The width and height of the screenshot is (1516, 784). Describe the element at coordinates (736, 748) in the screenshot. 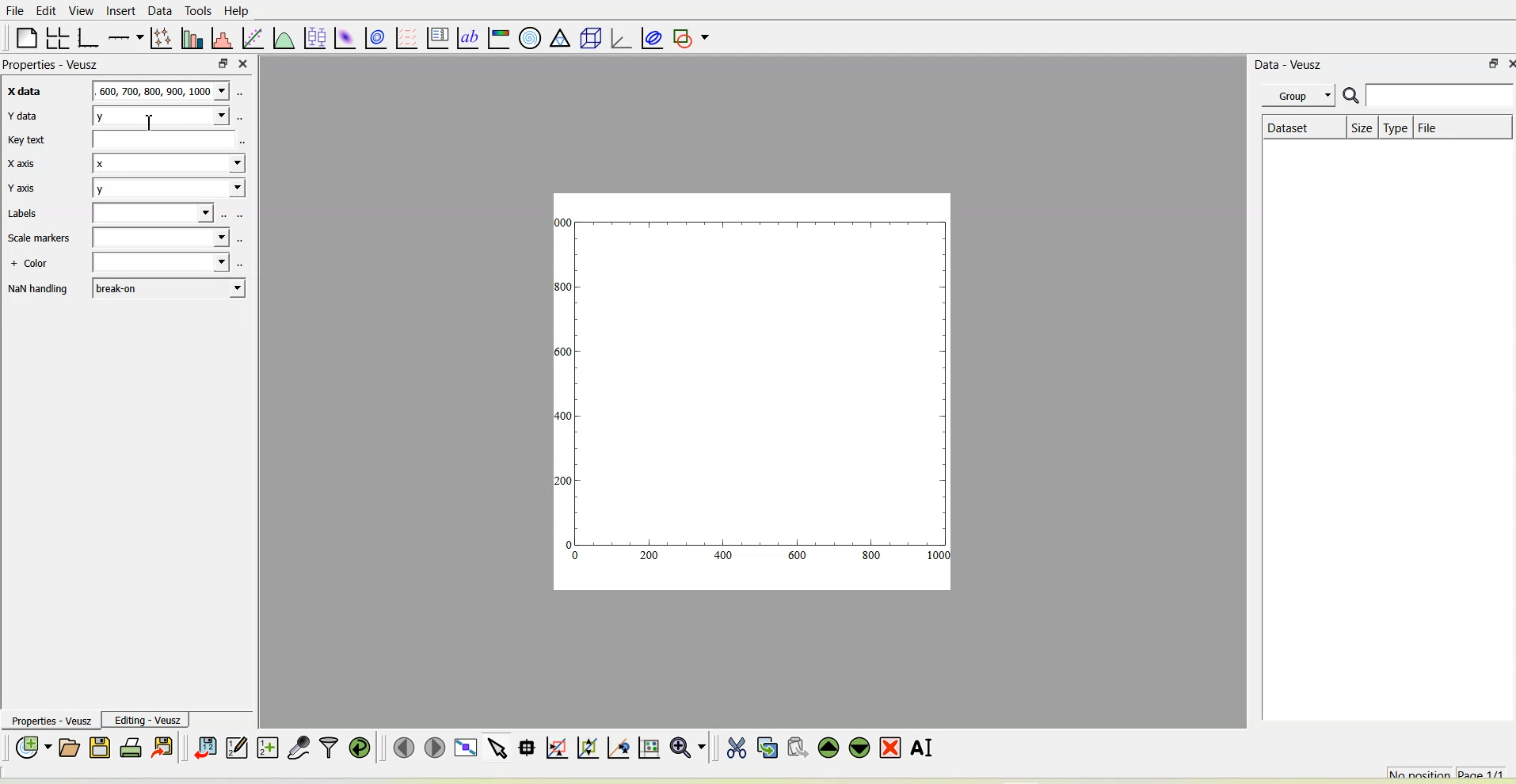

I see `Cut the selected widget` at that location.